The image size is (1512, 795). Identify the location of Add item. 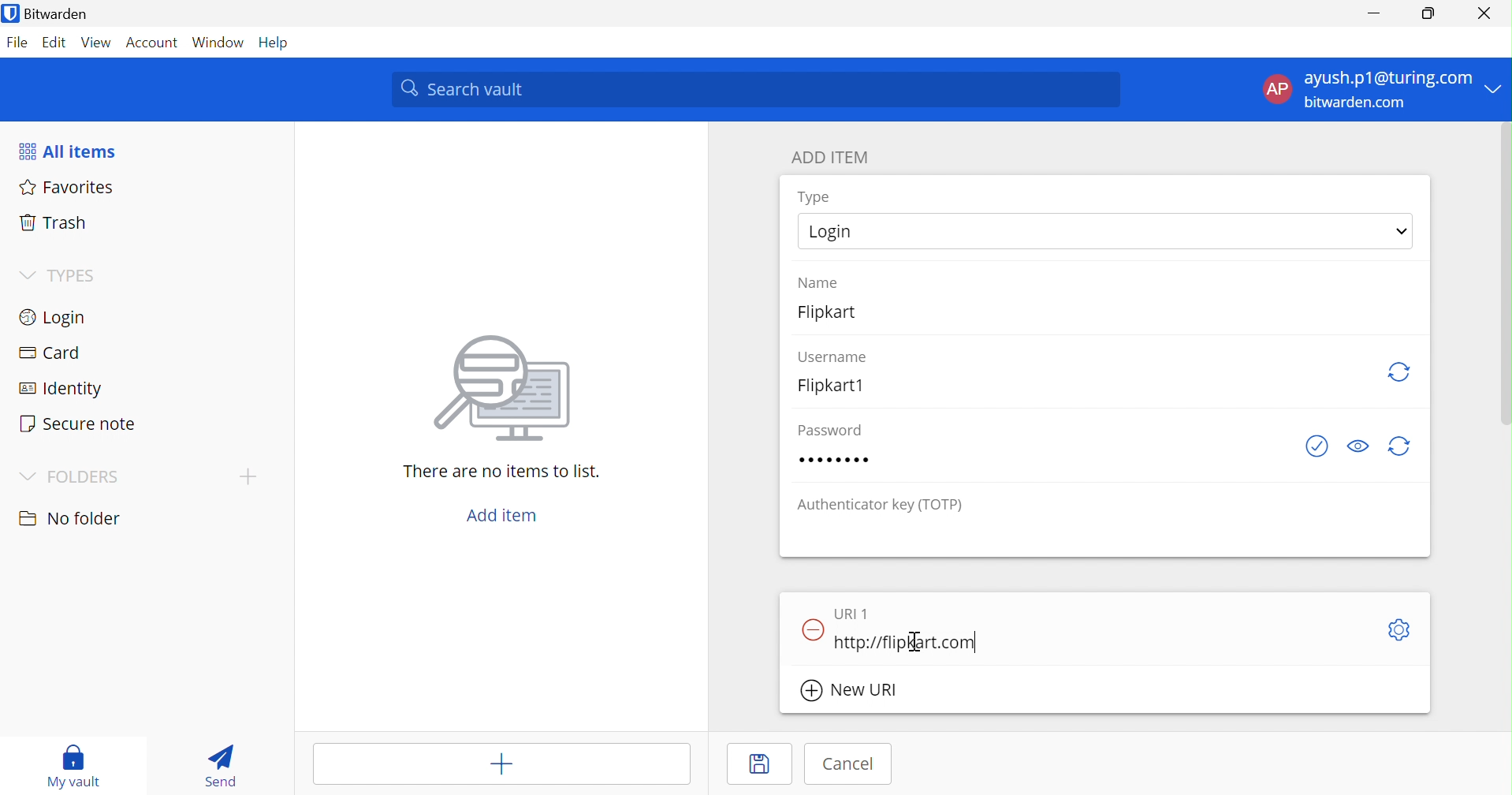
(501, 765).